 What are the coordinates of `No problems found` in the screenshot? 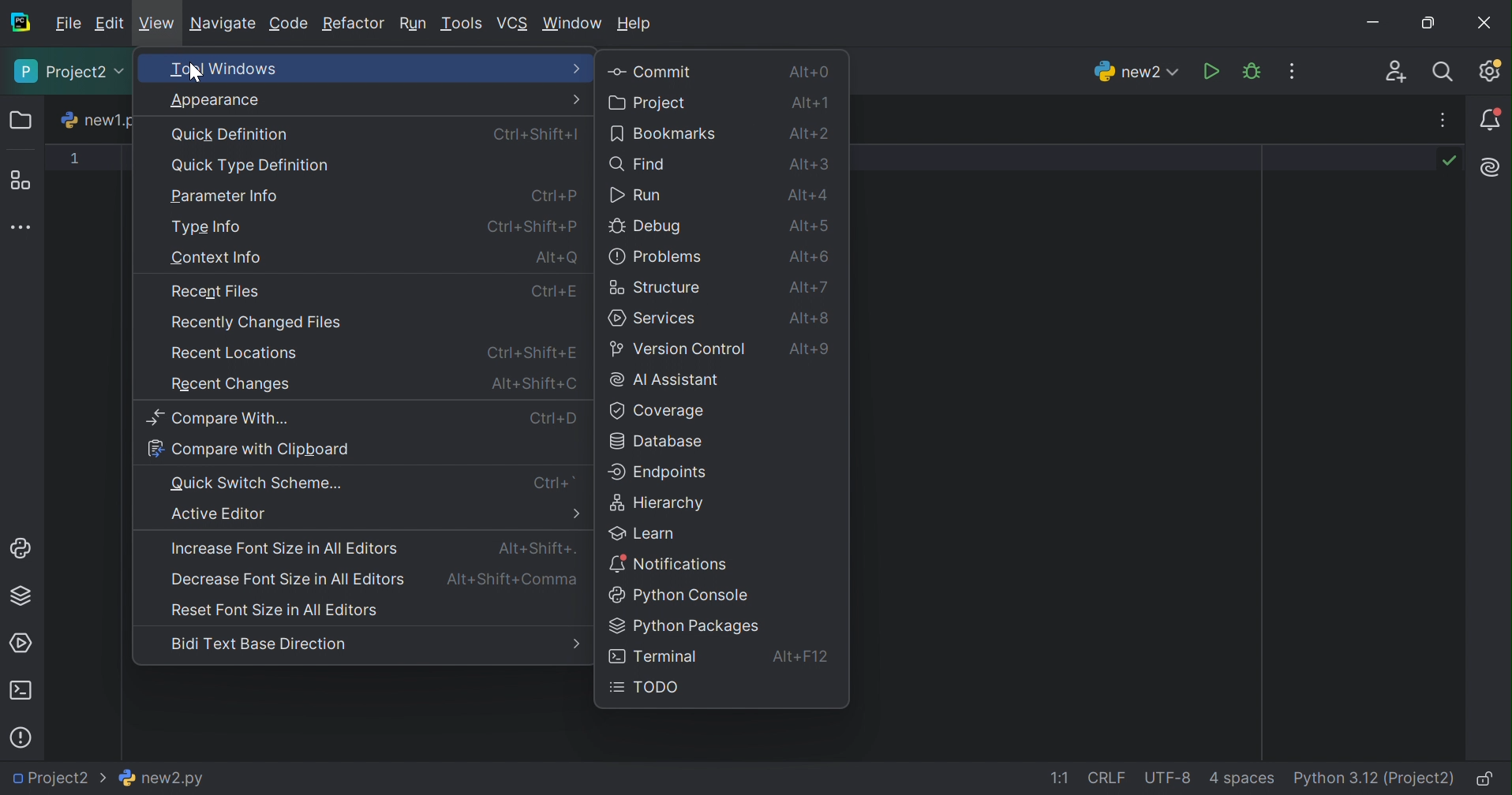 It's located at (1448, 161).